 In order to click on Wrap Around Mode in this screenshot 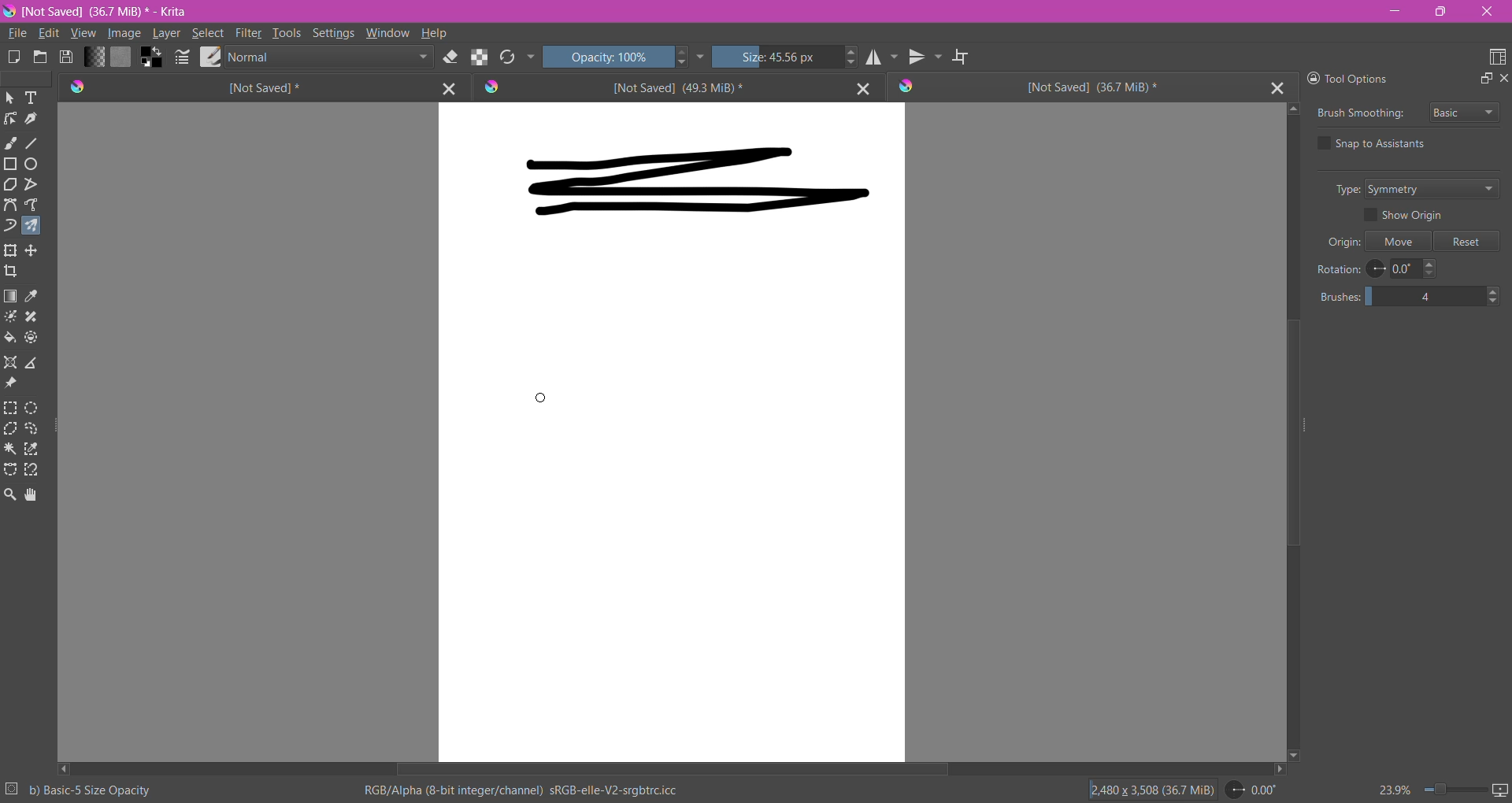, I will do `click(962, 57)`.